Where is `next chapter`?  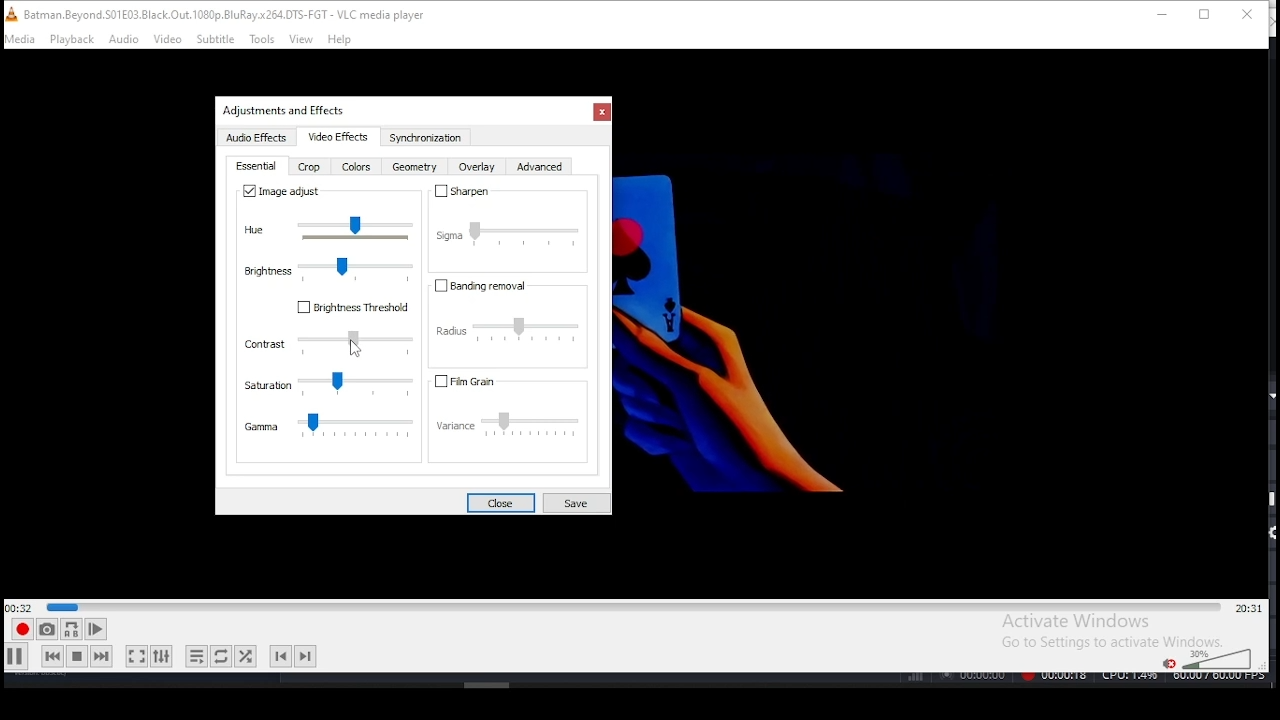
next chapter is located at coordinates (307, 654).